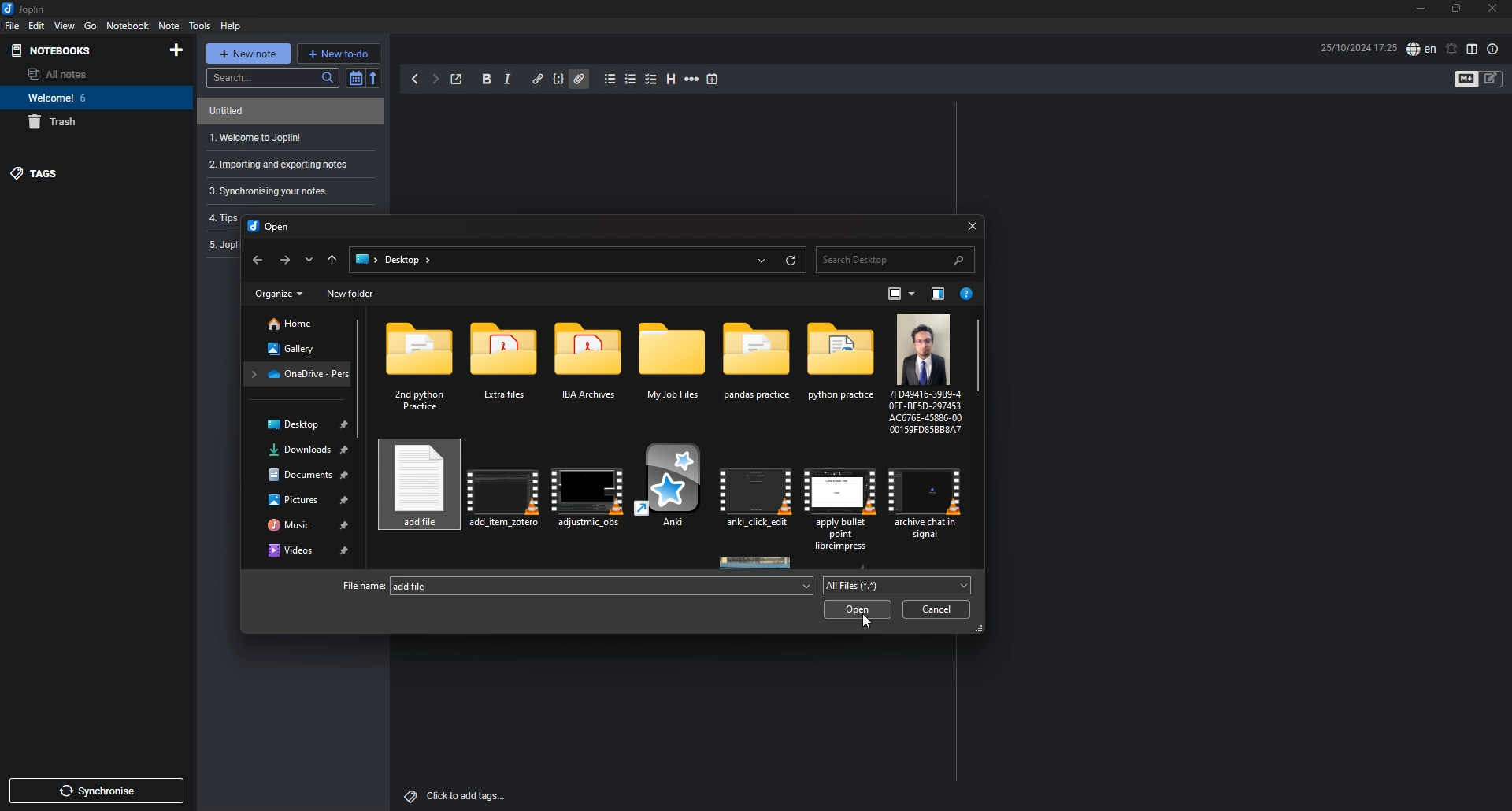 The width and height of the screenshot is (1512, 811). Describe the element at coordinates (758, 494) in the screenshot. I see `file` at that location.